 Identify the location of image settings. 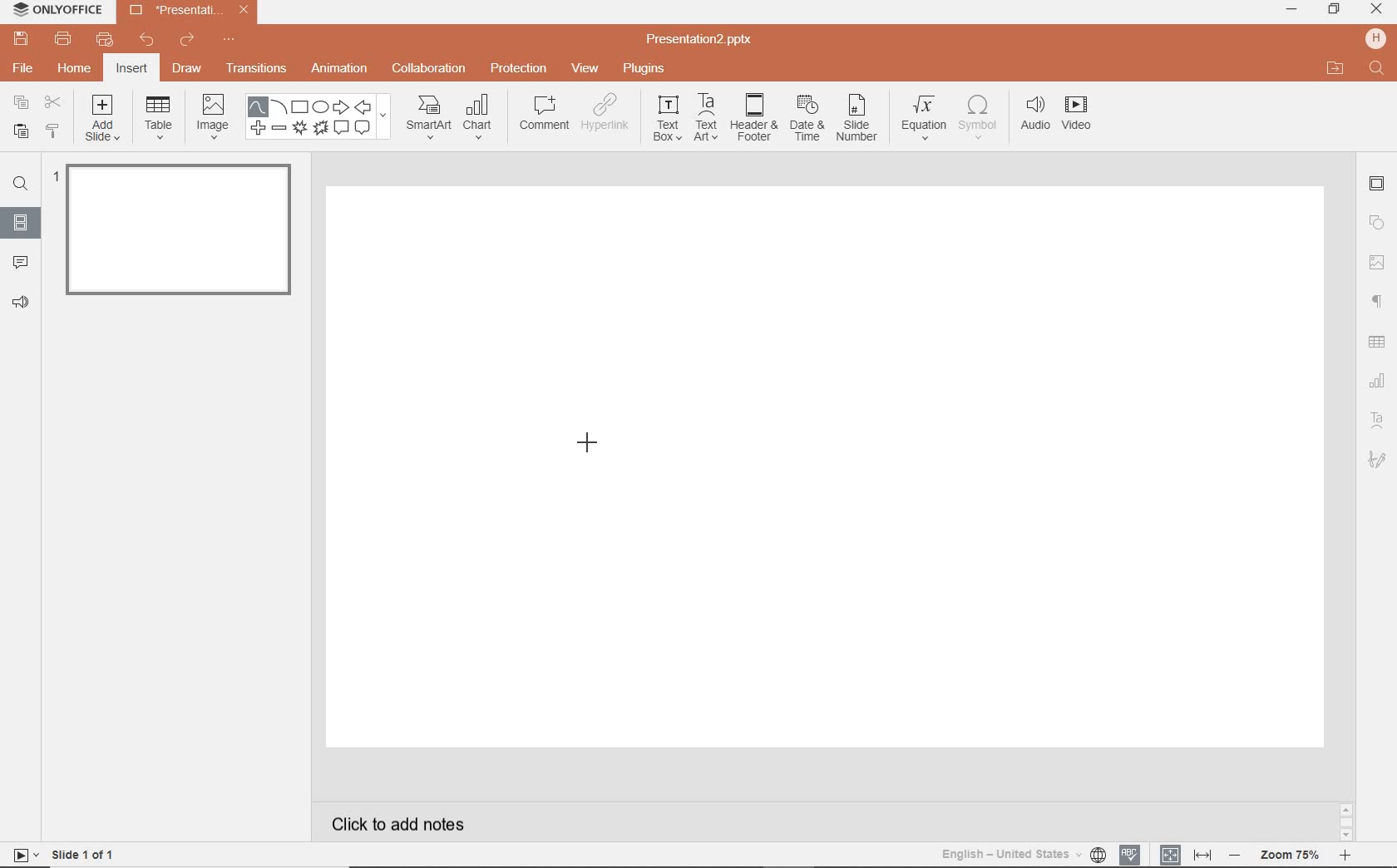
(1377, 262).